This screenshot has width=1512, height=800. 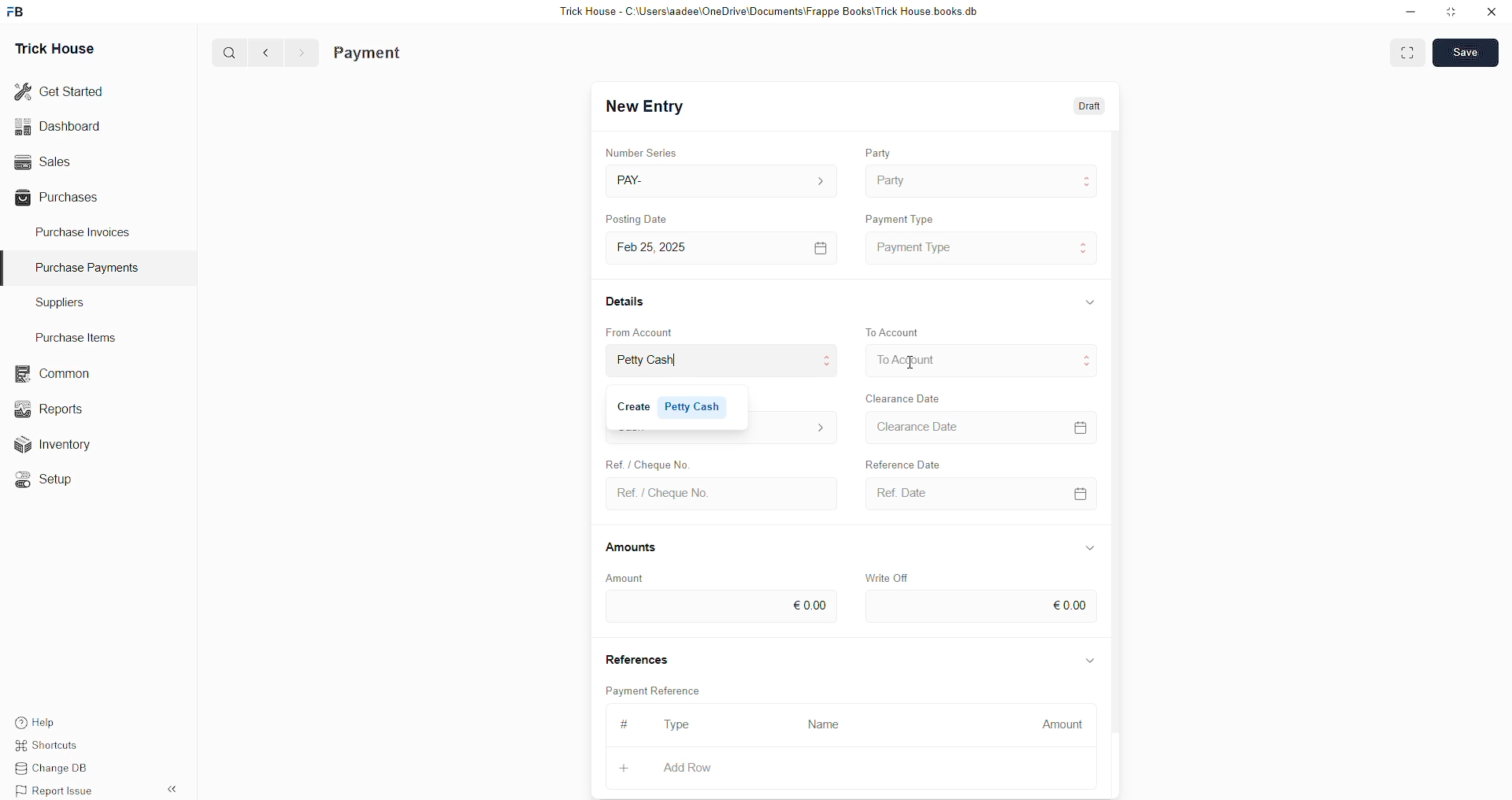 What do you see at coordinates (649, 107) in the screenshot?
I see `New Entry` at bounding box center [649, 107].